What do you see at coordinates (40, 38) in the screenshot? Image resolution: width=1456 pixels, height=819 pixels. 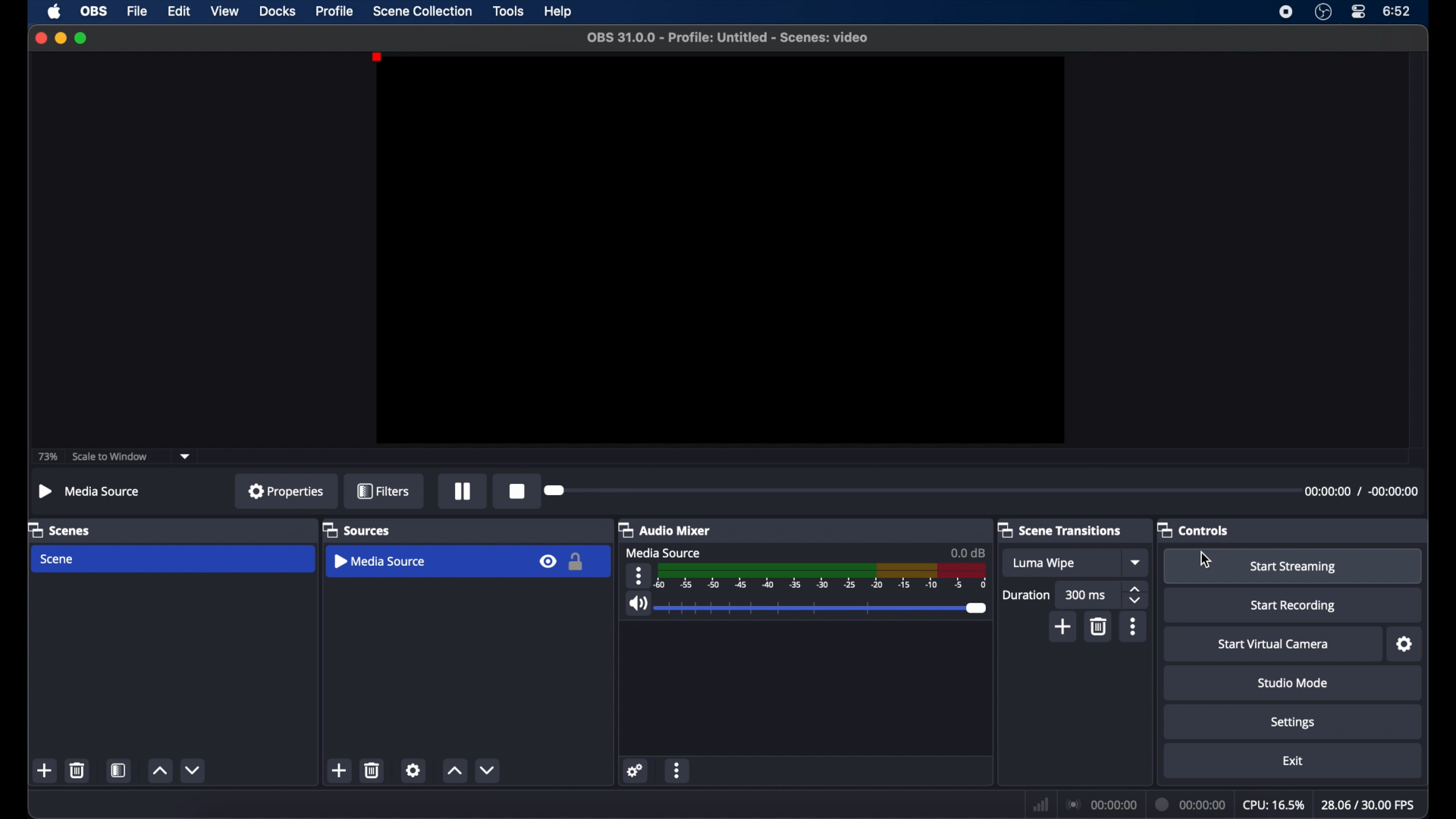 I see `close` at bounding box center [40, 38].